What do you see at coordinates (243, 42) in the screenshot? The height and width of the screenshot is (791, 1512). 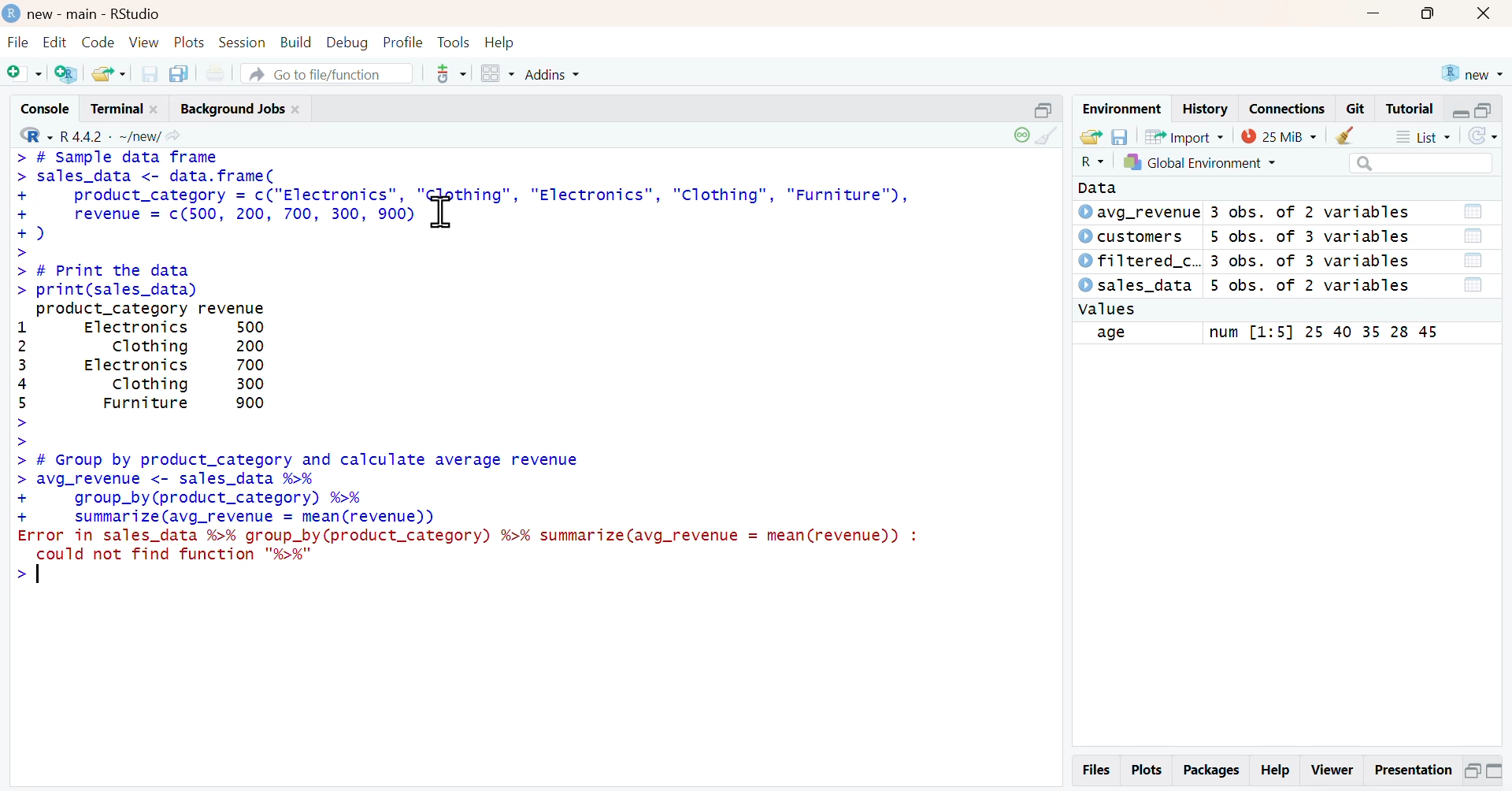 I see `Session` at bounding box center [243, 42].